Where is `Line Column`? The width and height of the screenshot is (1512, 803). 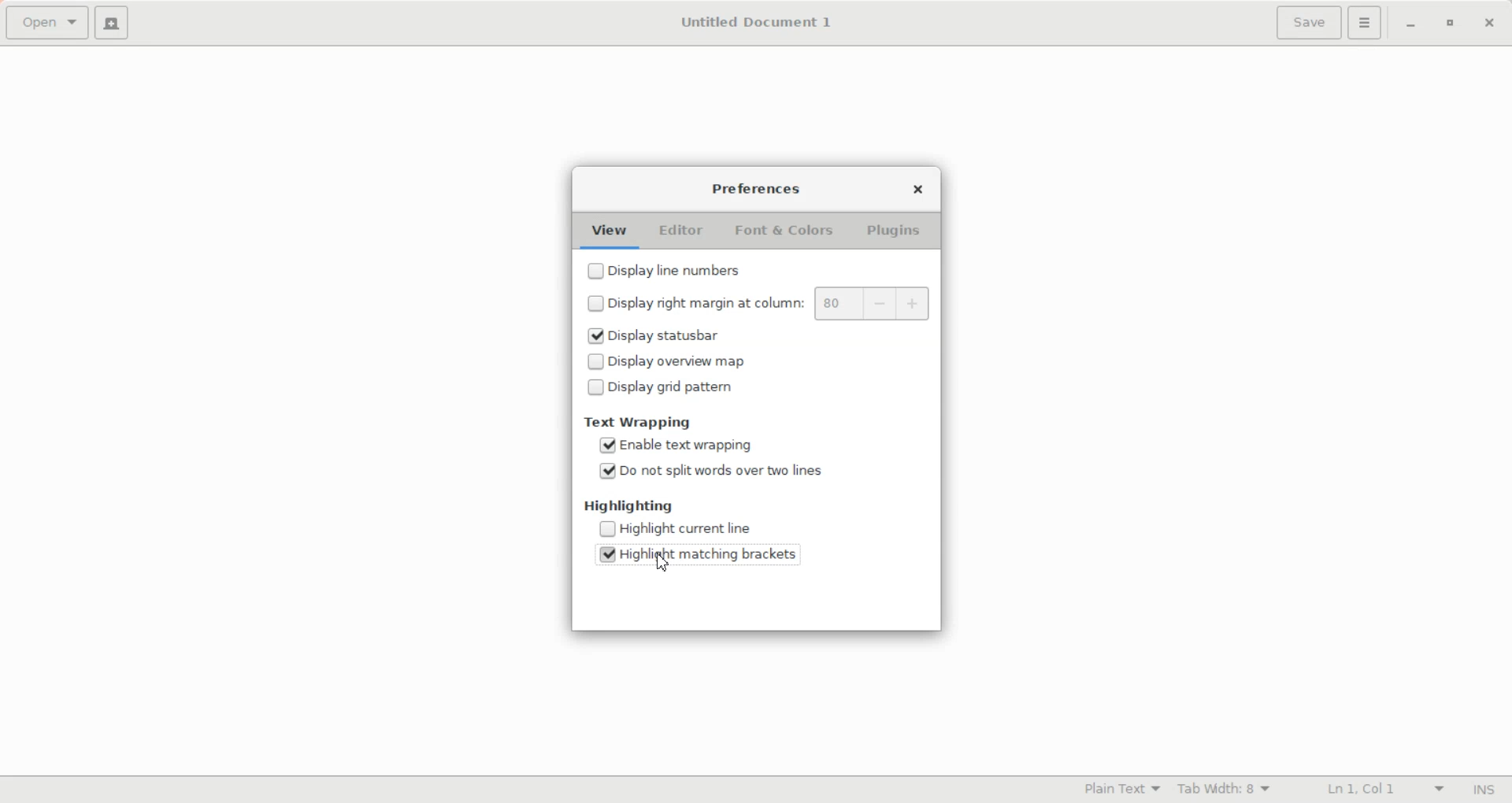
Line Column is located at coordinates (1371, 790).